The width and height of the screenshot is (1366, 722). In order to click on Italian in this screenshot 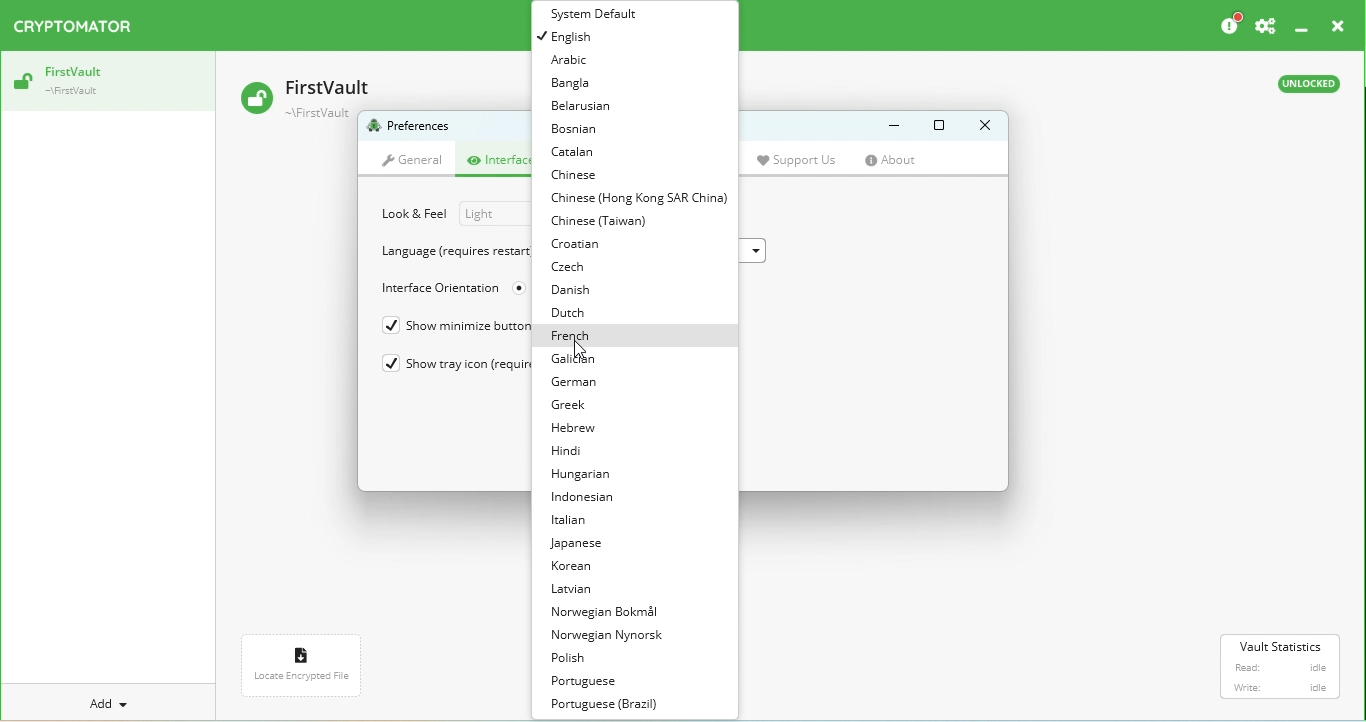, I will do `click(575, 519)`.